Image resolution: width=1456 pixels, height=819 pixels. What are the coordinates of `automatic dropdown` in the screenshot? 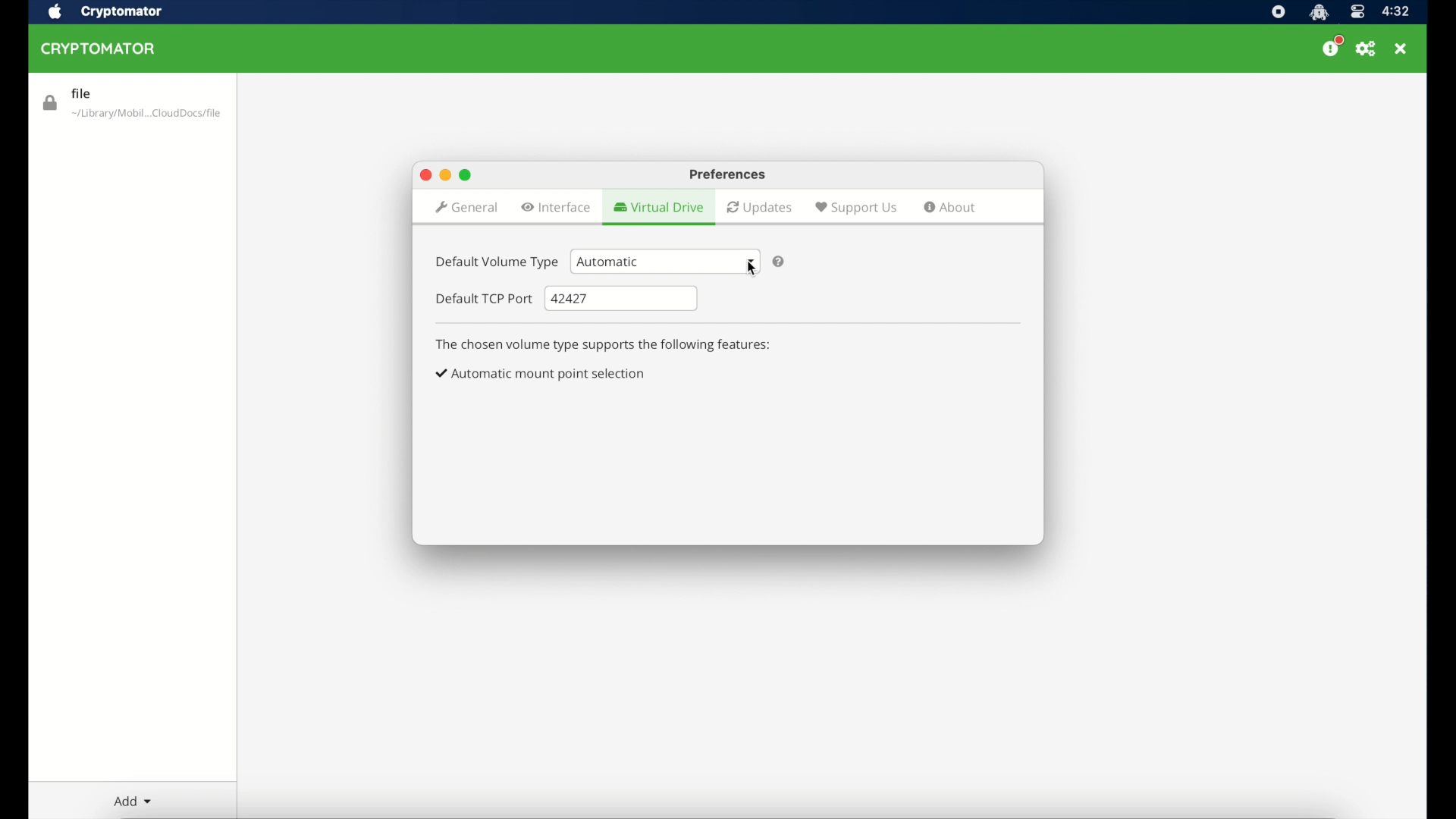 It's located at (663, 260).